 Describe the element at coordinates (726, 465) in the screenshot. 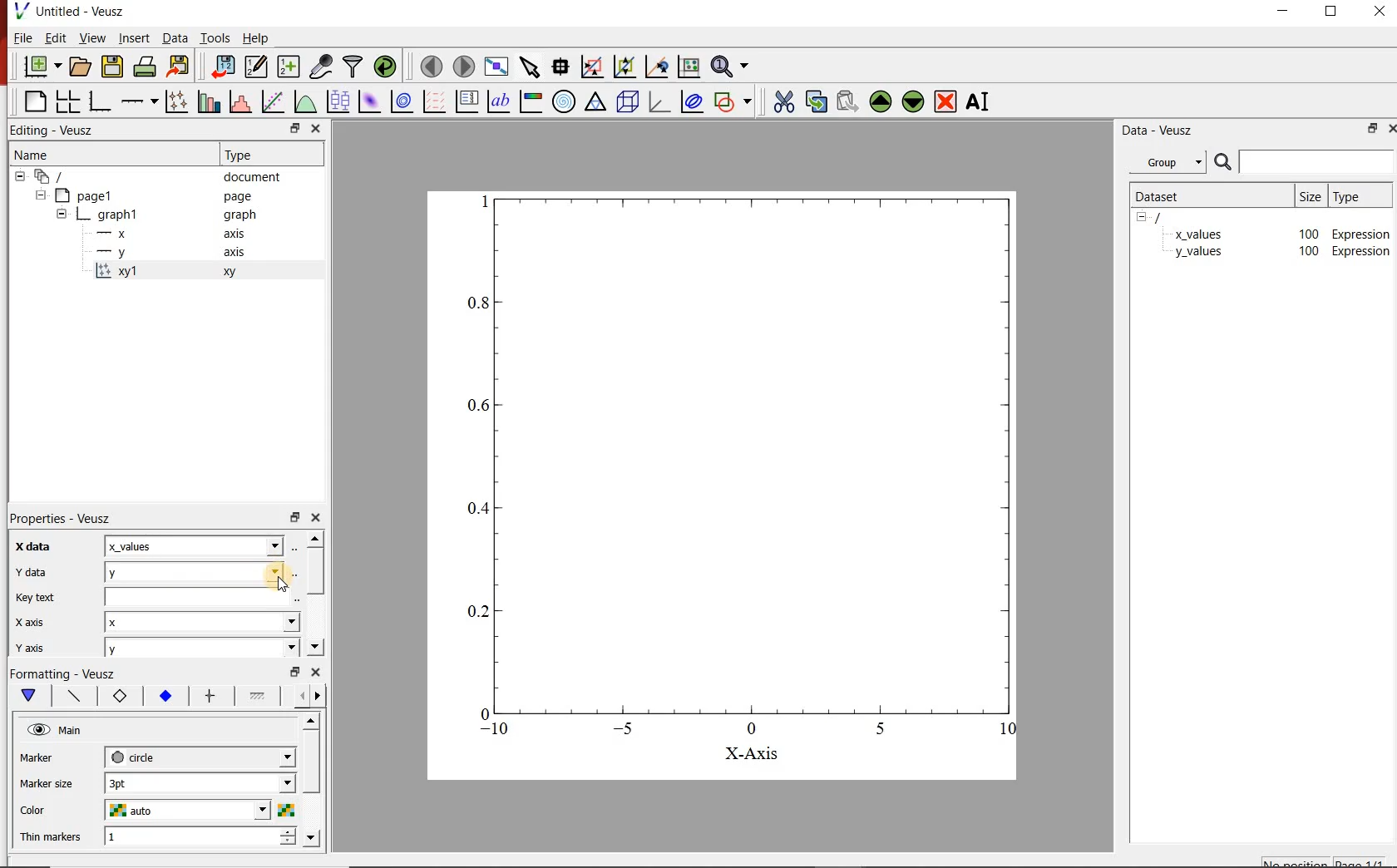

I see `graph` at that location.